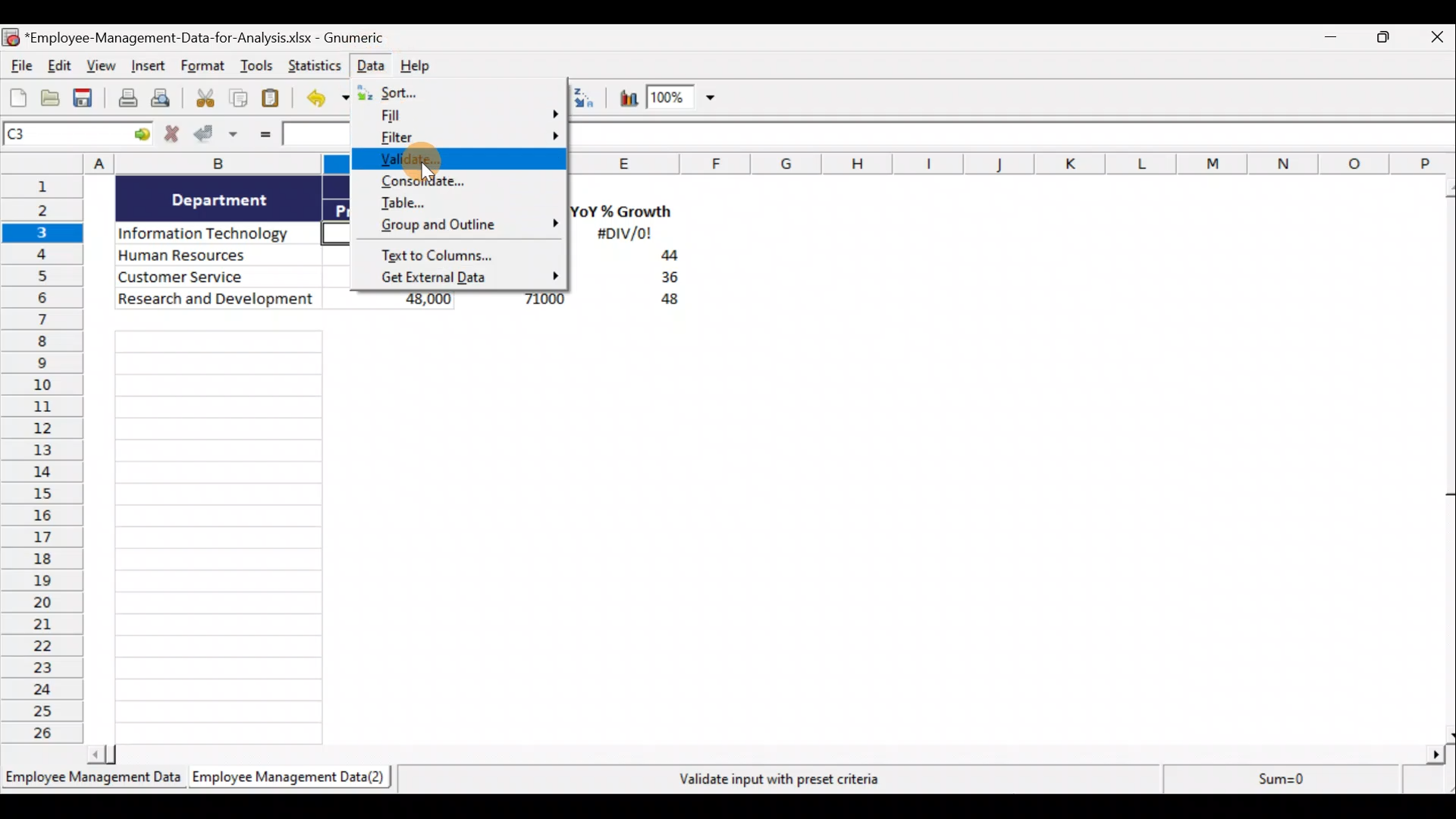 The image size is (1456, 819). What do you see at coordinates (204, 99) in the screenshot?
I see `Cut selection` at bounding box center [204, 99].